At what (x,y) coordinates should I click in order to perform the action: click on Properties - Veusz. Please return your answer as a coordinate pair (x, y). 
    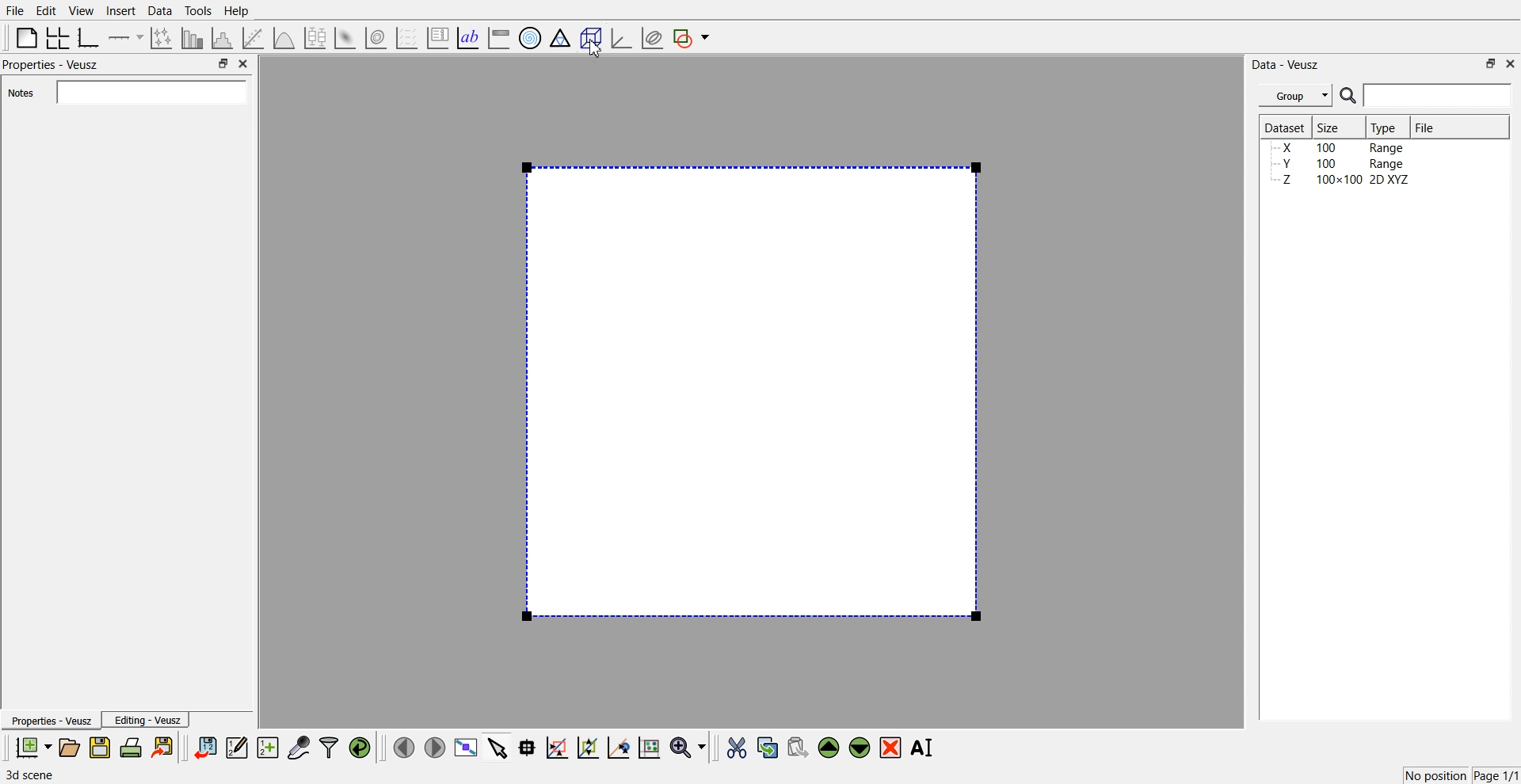
    Looking at the image, I should click on (50, 720).